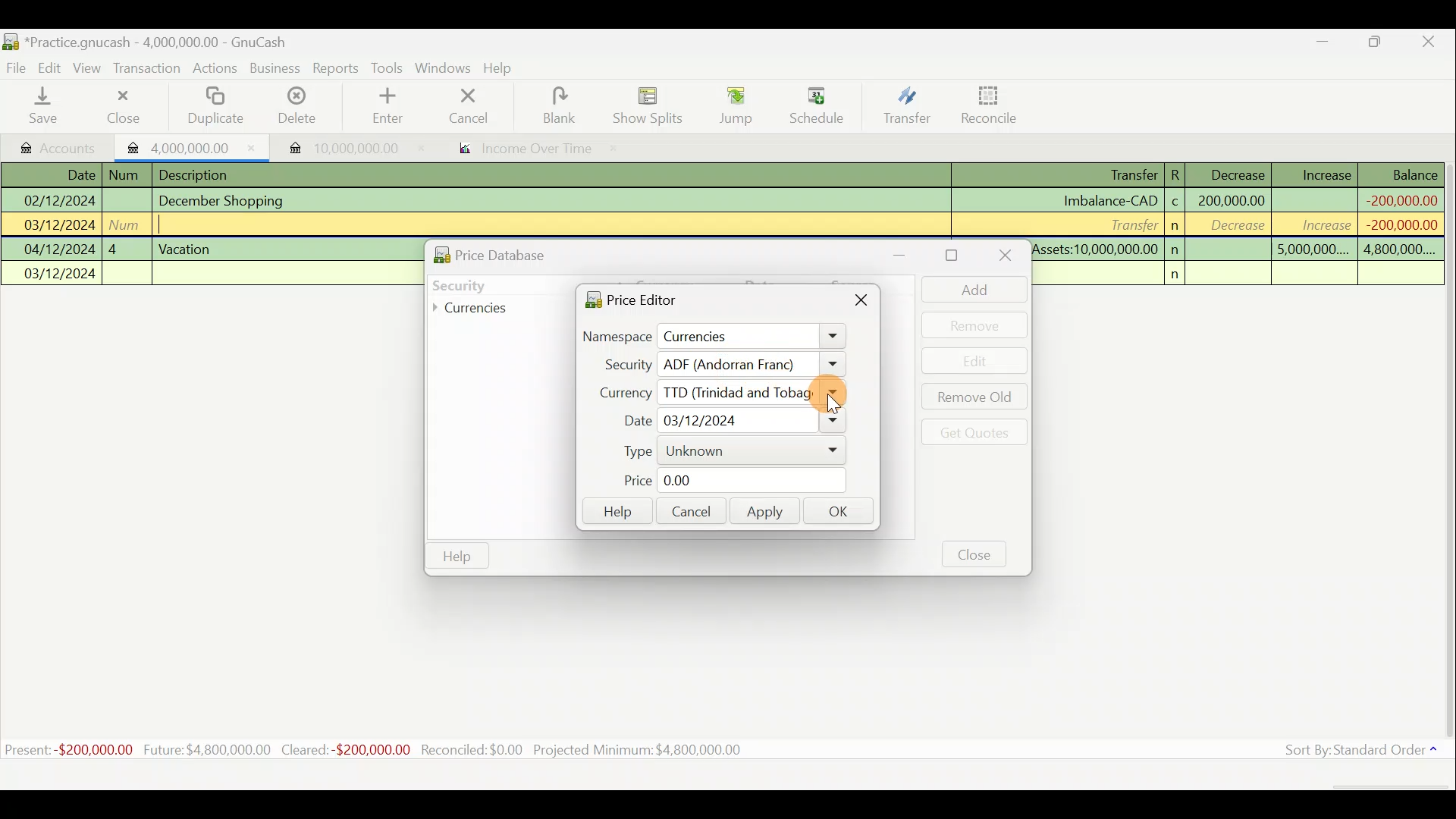 This screenshot has height=819, width=1456. I want to click on Schedule, so click(817, 105).